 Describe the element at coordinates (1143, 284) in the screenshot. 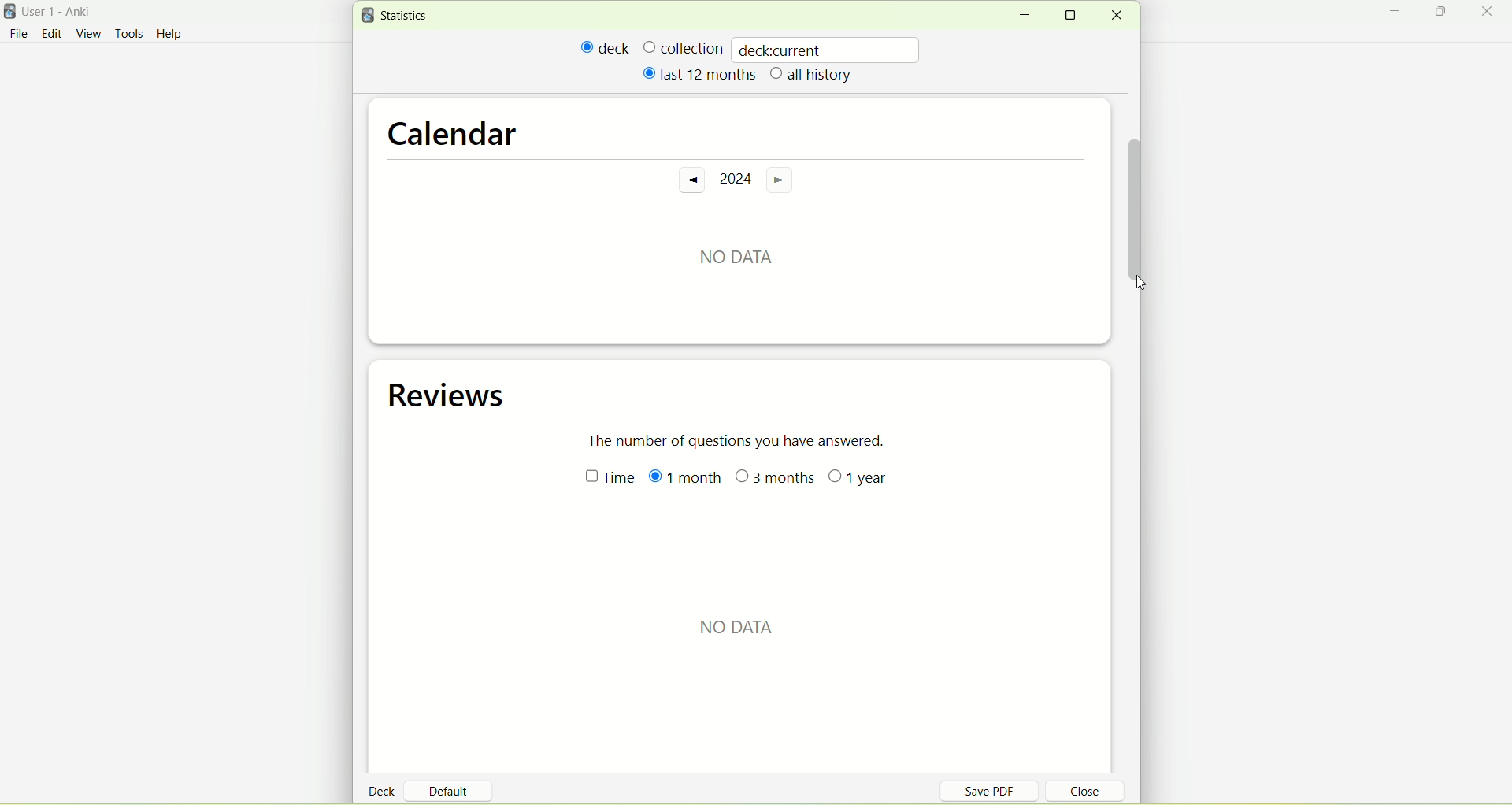

I see `cursor` at that location.